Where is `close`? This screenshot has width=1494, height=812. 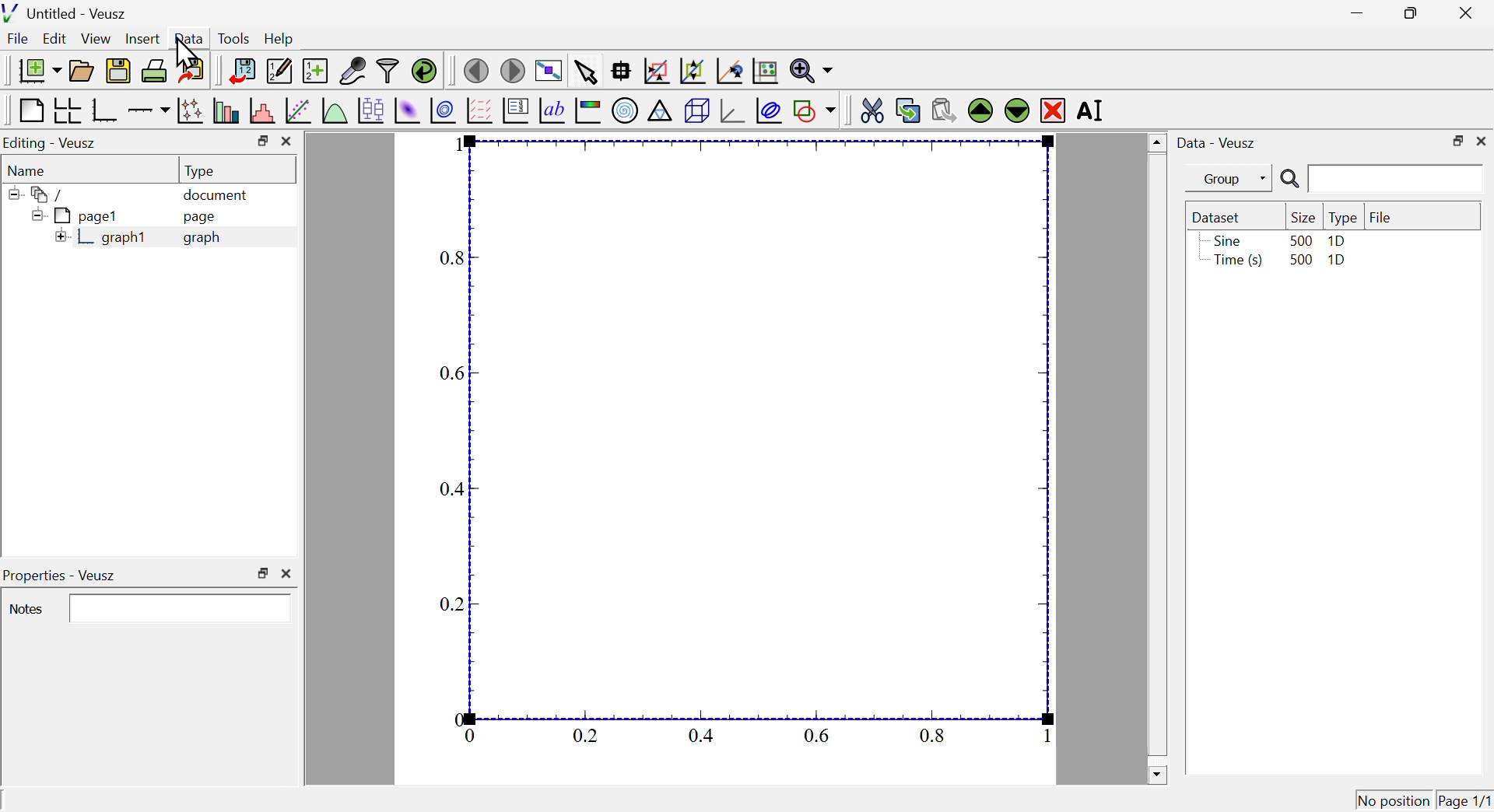 close is located at coordinates (290, 572).